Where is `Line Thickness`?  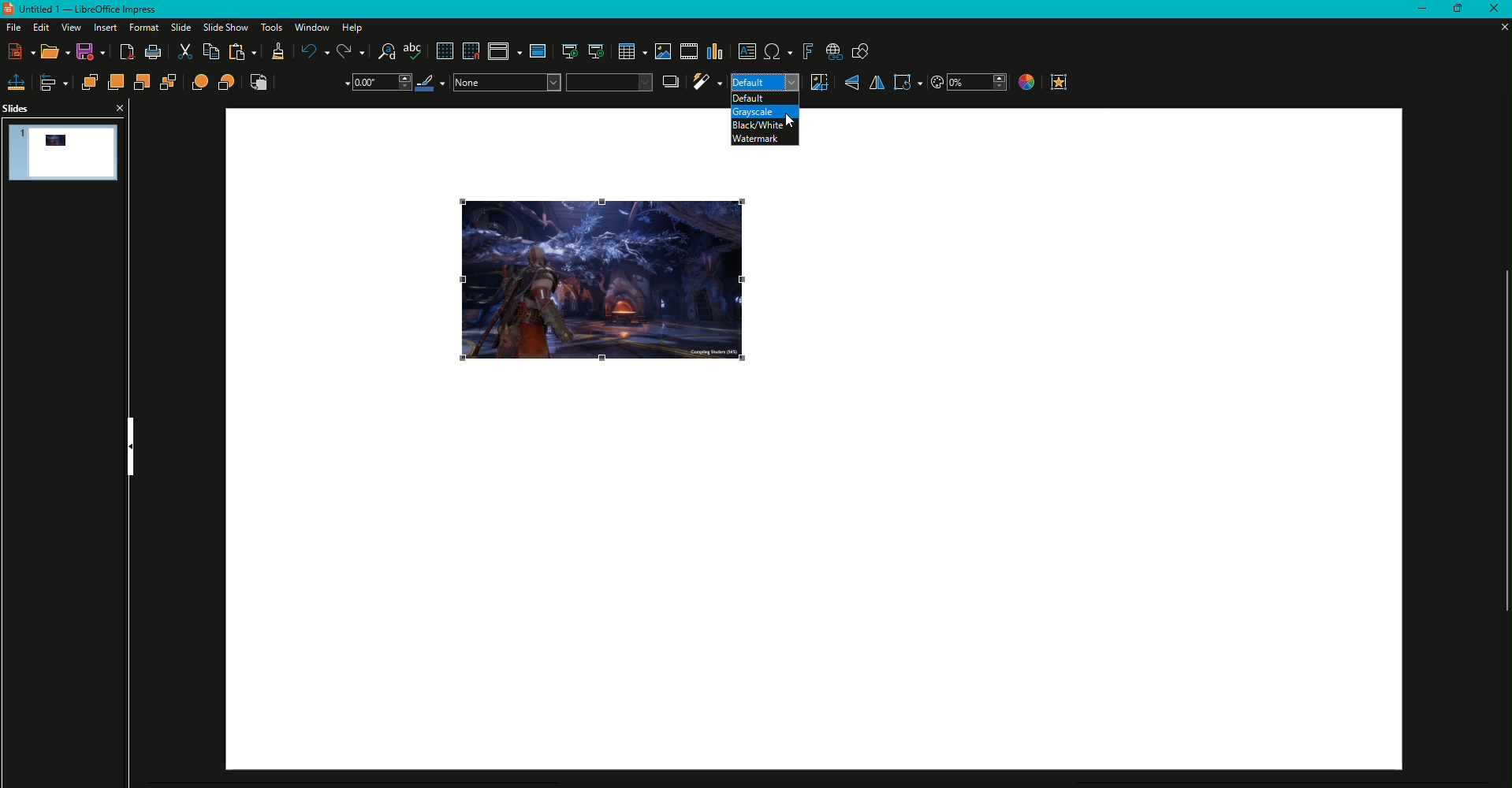
Line Thickness is located at coordinates (380, 83).